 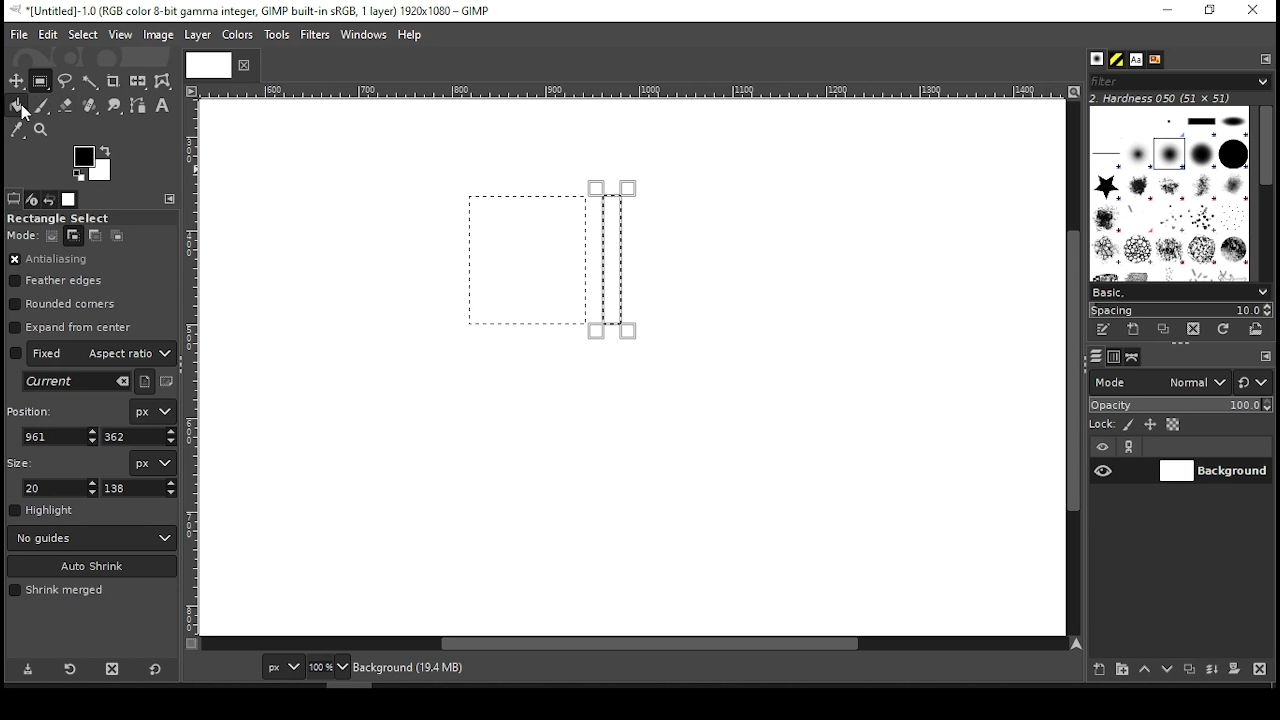 I want to click on text tool, so click(x=162, y=107).